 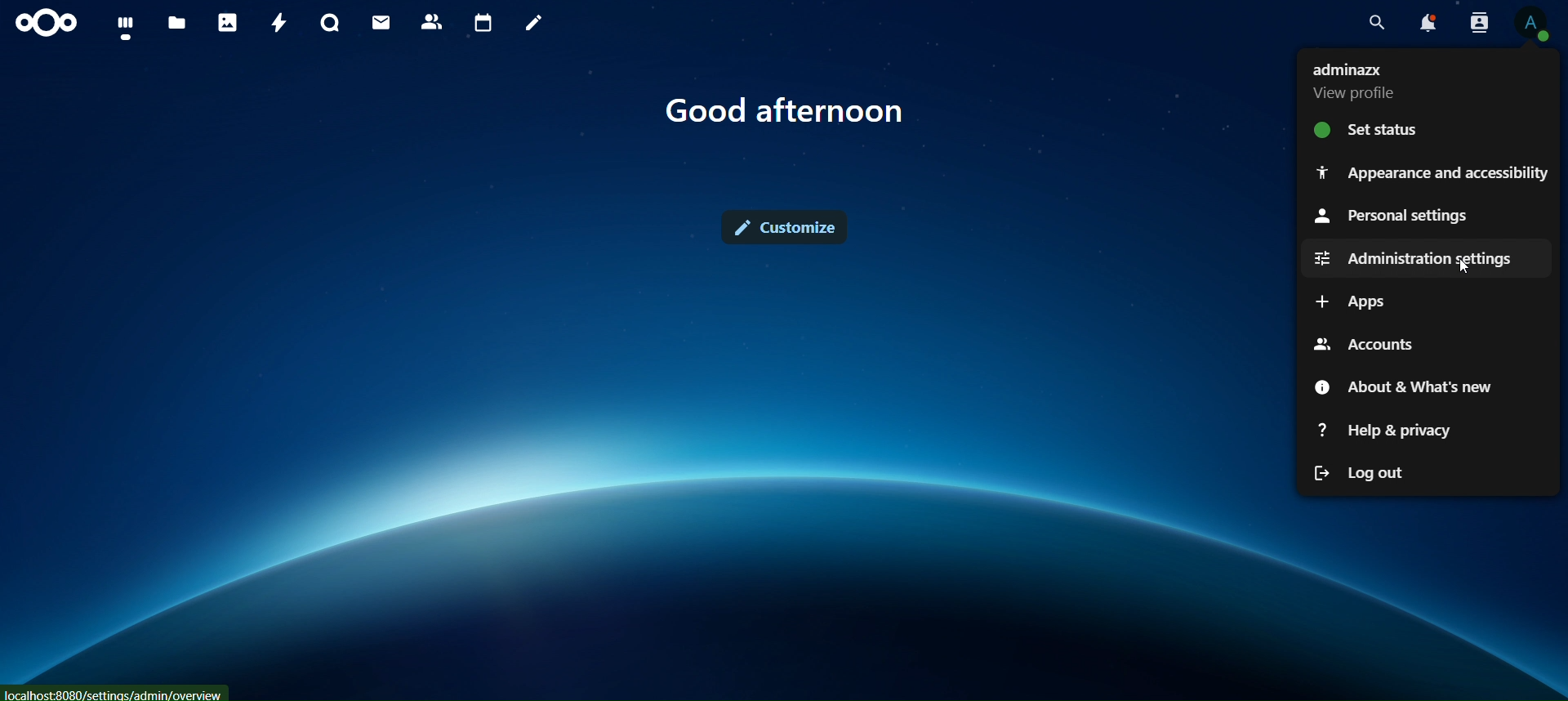 I want to click on dashboard, so click(x=127, y=26).